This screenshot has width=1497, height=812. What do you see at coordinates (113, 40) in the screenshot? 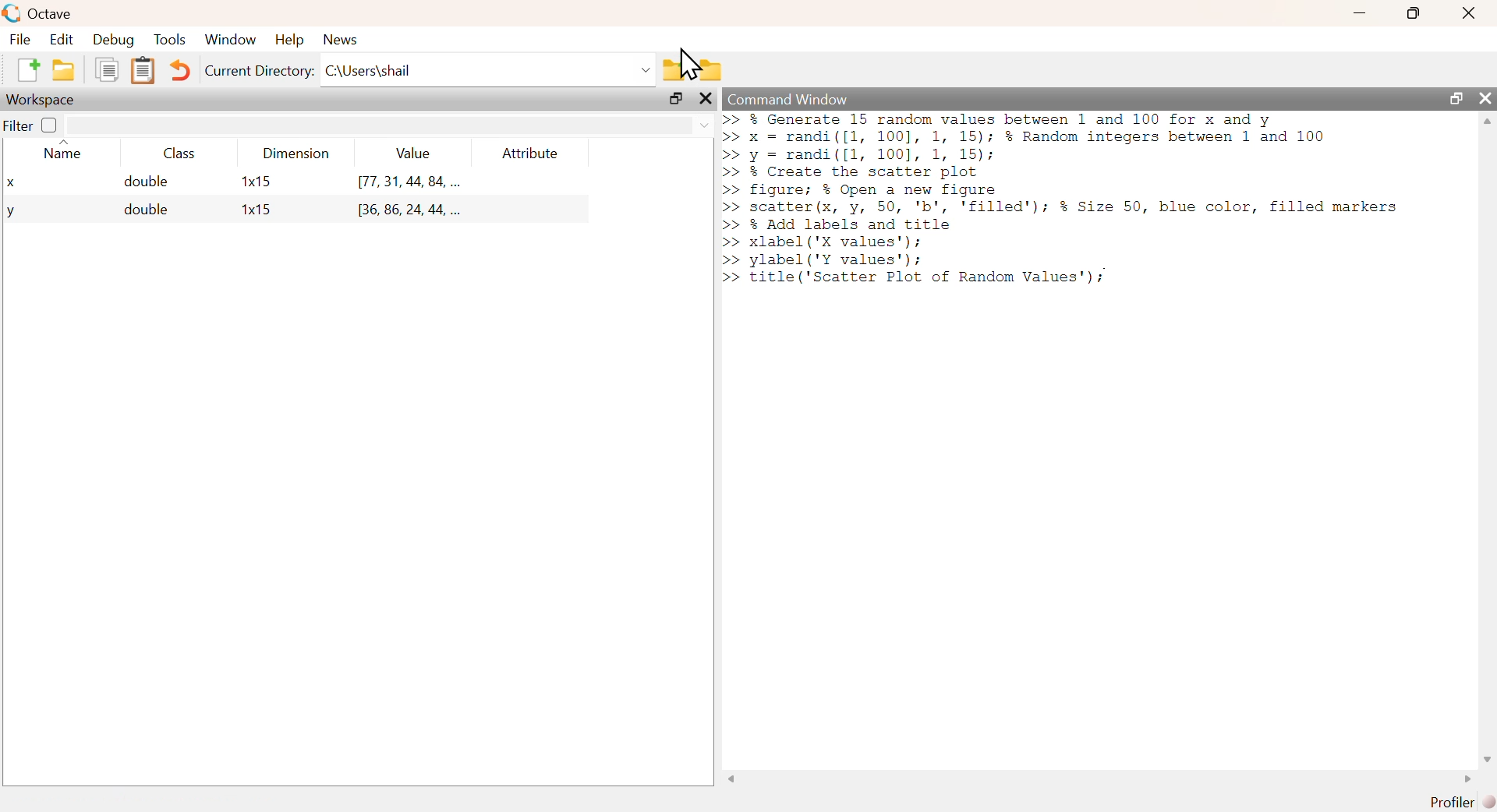
I see `Debug` at bounding box center [113, 40].